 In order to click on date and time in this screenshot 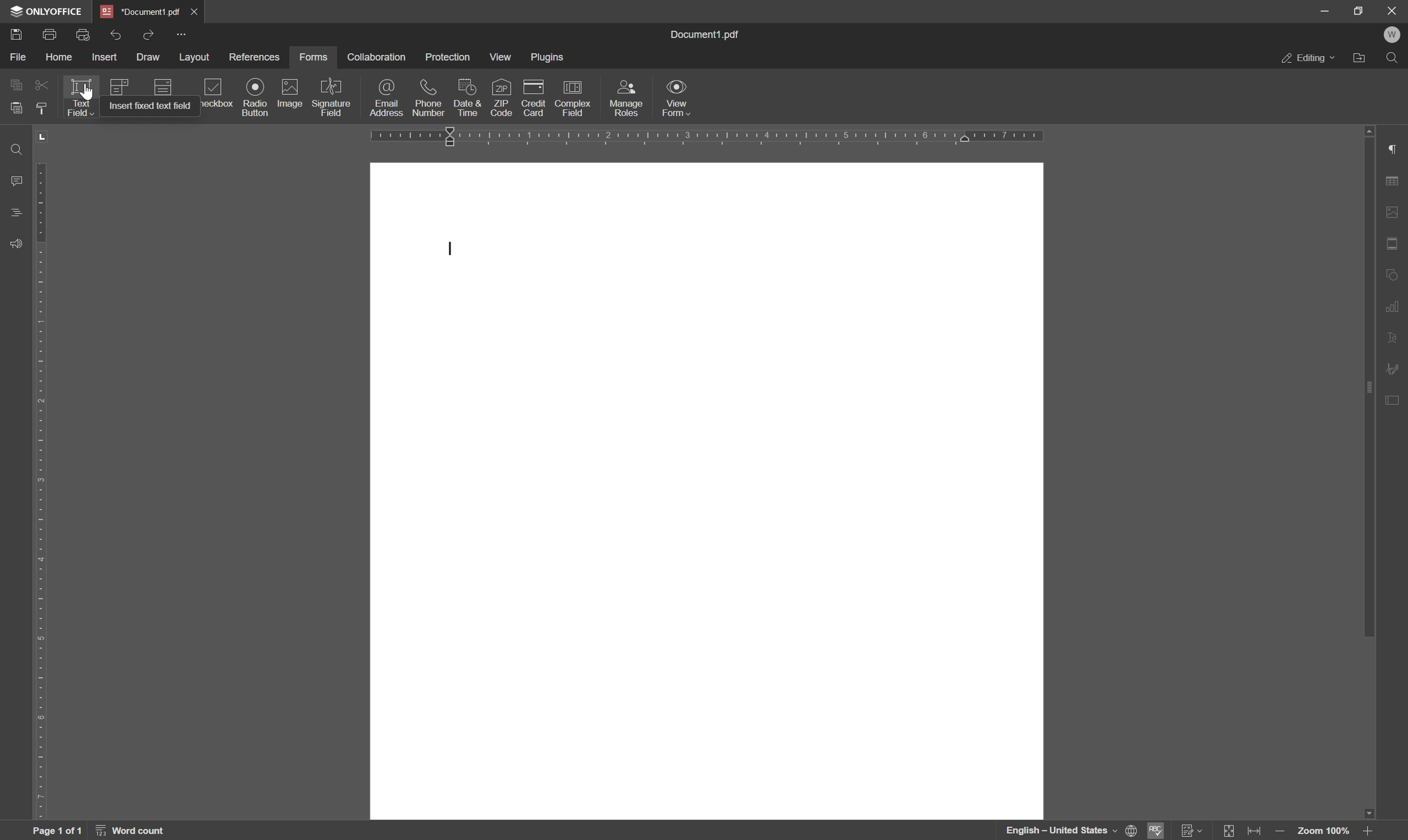, I will do `click(470, 99)`.